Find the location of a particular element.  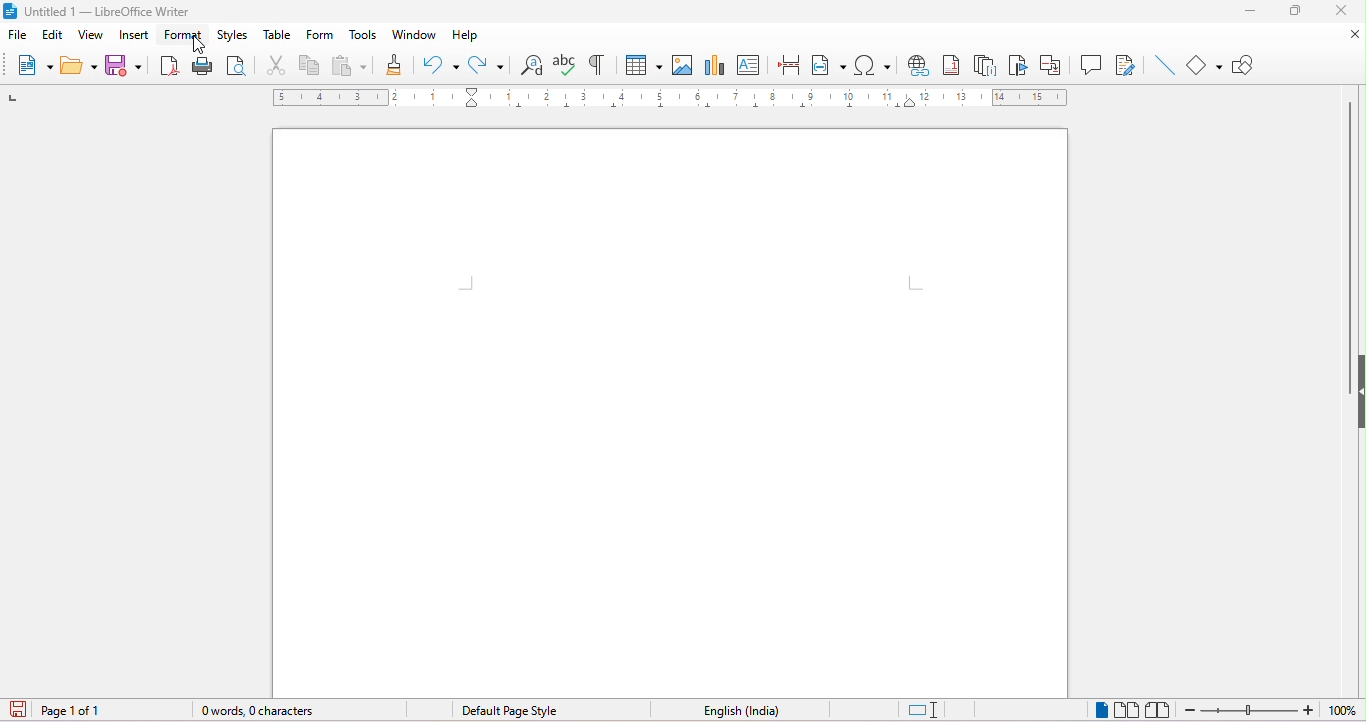

minimize is located at coordinates (1243, 8).